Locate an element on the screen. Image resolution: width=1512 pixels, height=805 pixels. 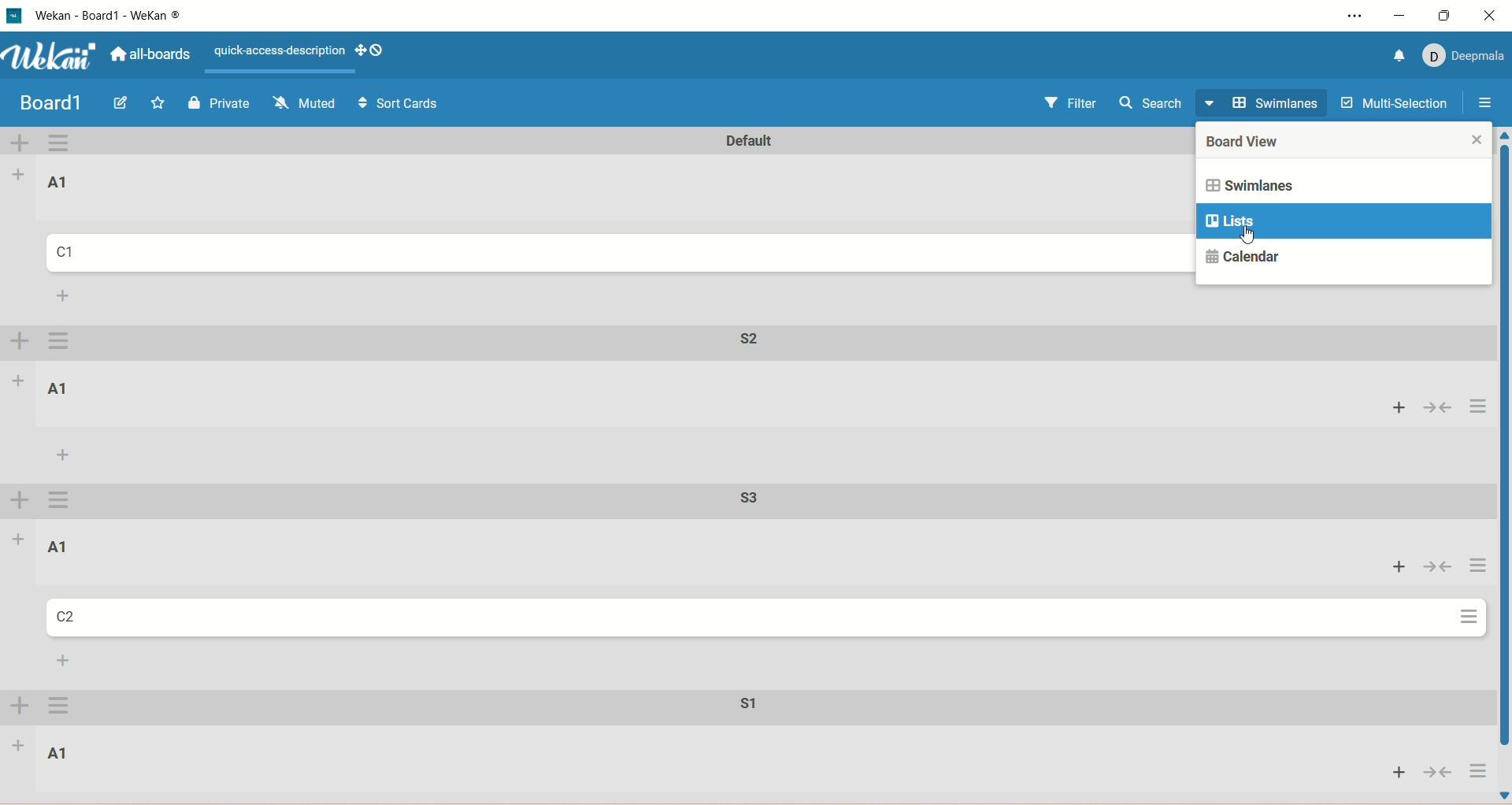
multi-selection is located at coordinates (1393, 102).